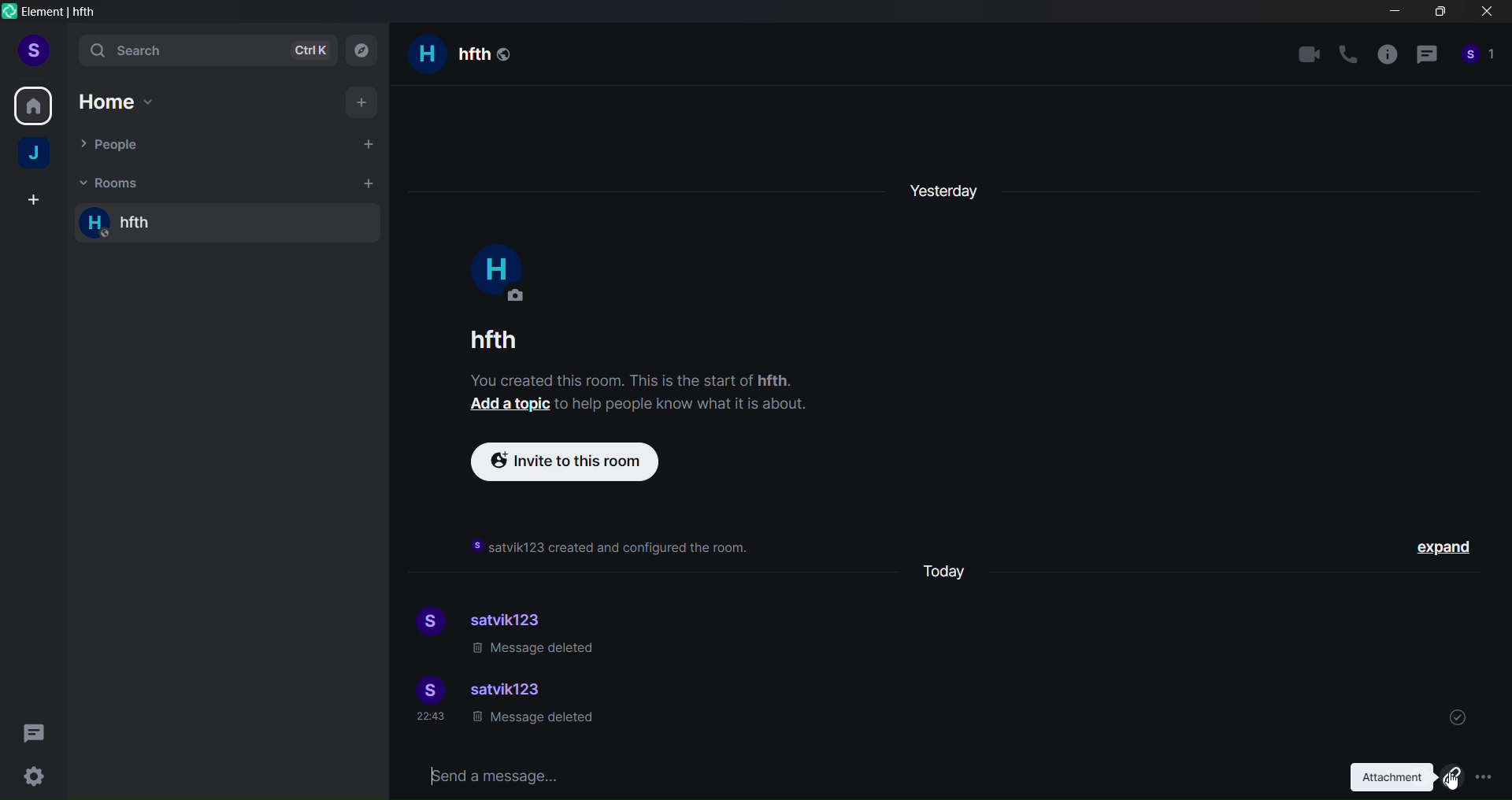 The width and height of the screenshot is (1512, 800). What do you see at coordinates (1395, 14) in the screenshot?
I see `minimize` at bounding box center [1395, 14].